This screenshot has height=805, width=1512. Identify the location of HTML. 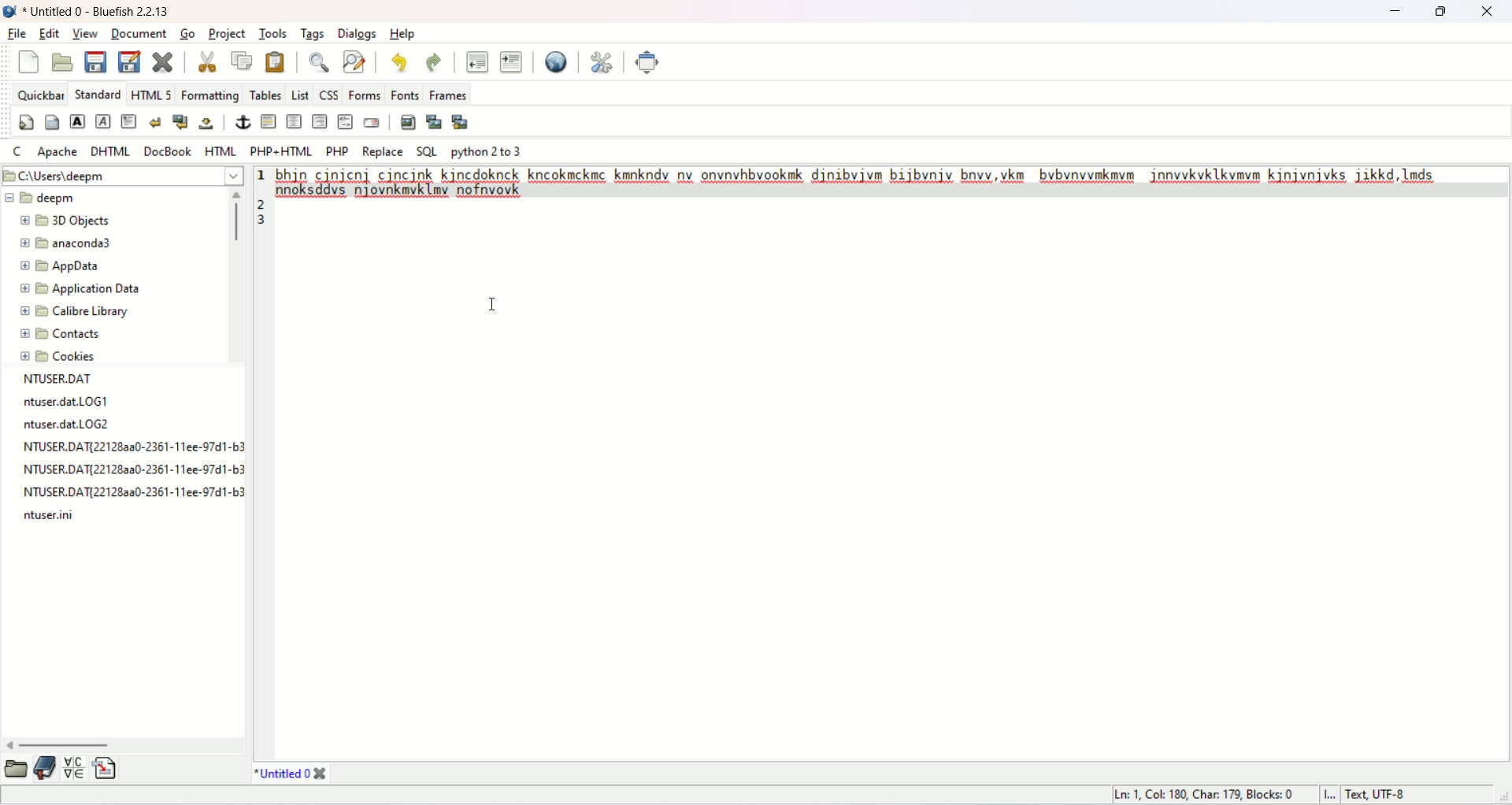
(220, 152).